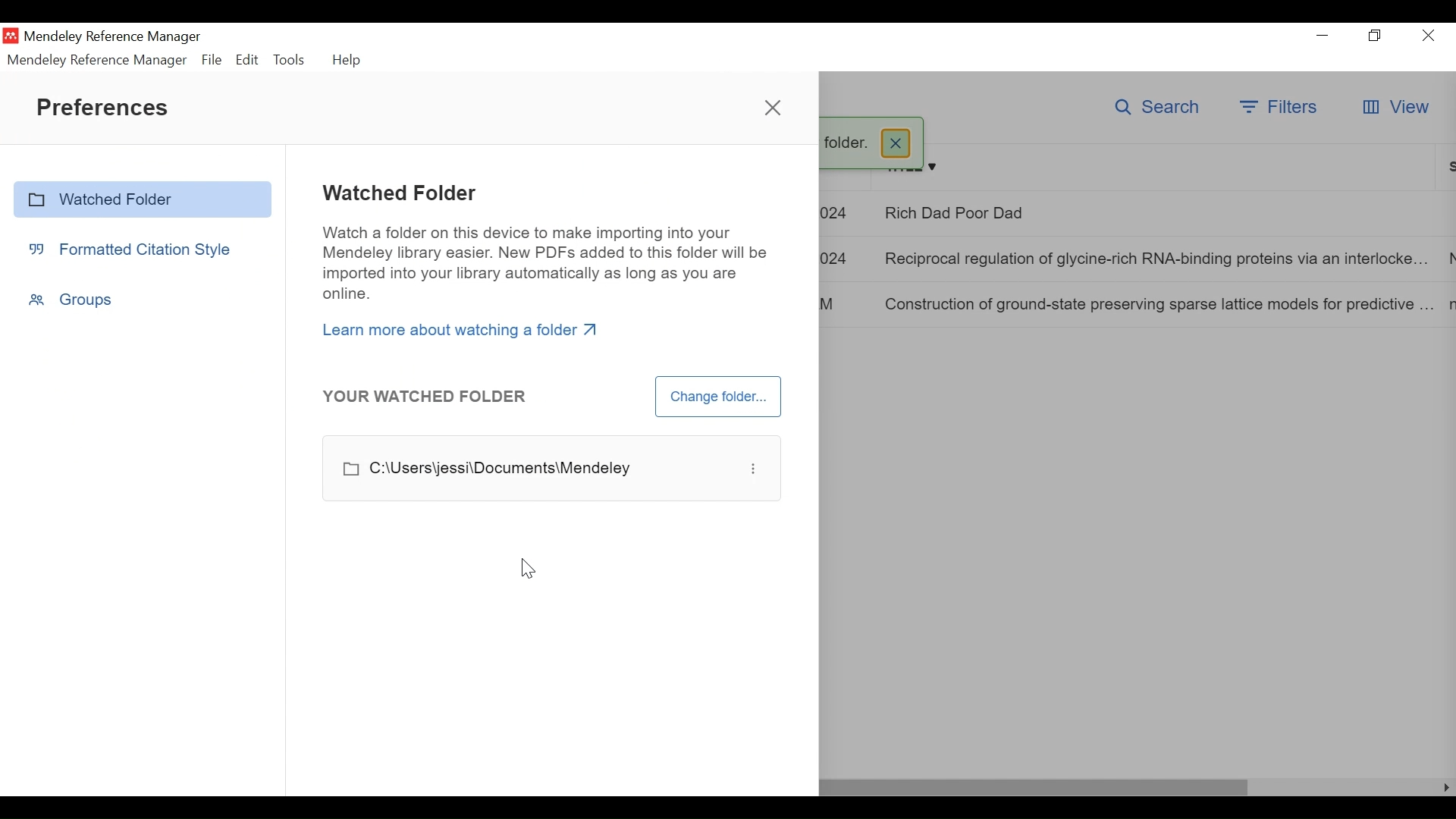 The height and width of the screenshot is (819, 1456). I want to click on YOUR WATCHED FOLDER, so click(429, 397).